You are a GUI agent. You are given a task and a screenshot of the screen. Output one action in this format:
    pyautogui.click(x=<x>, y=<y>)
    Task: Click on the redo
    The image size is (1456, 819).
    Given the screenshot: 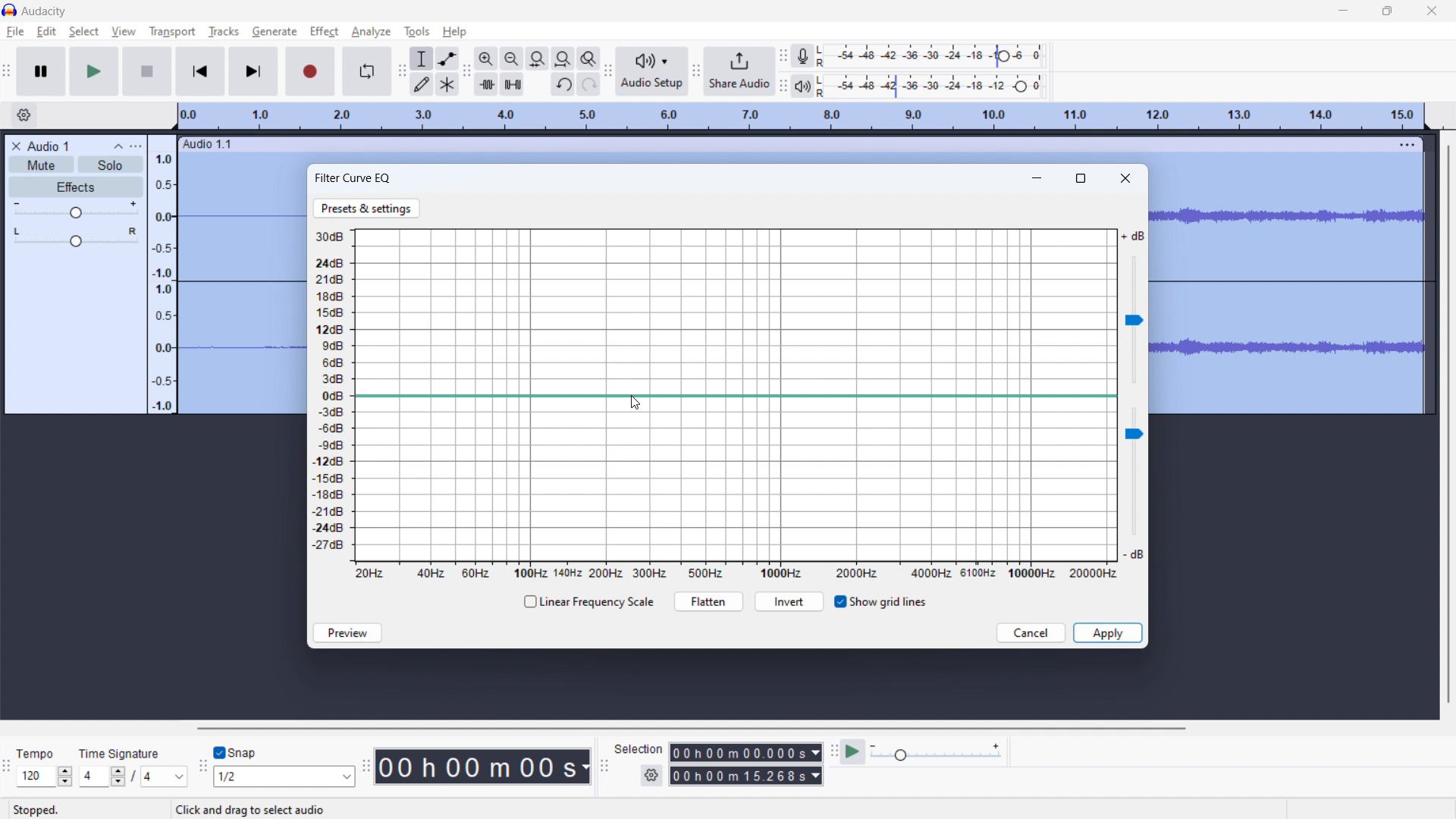 What is the action you would take?
    pyautogui.click(x=588, y=84)
    